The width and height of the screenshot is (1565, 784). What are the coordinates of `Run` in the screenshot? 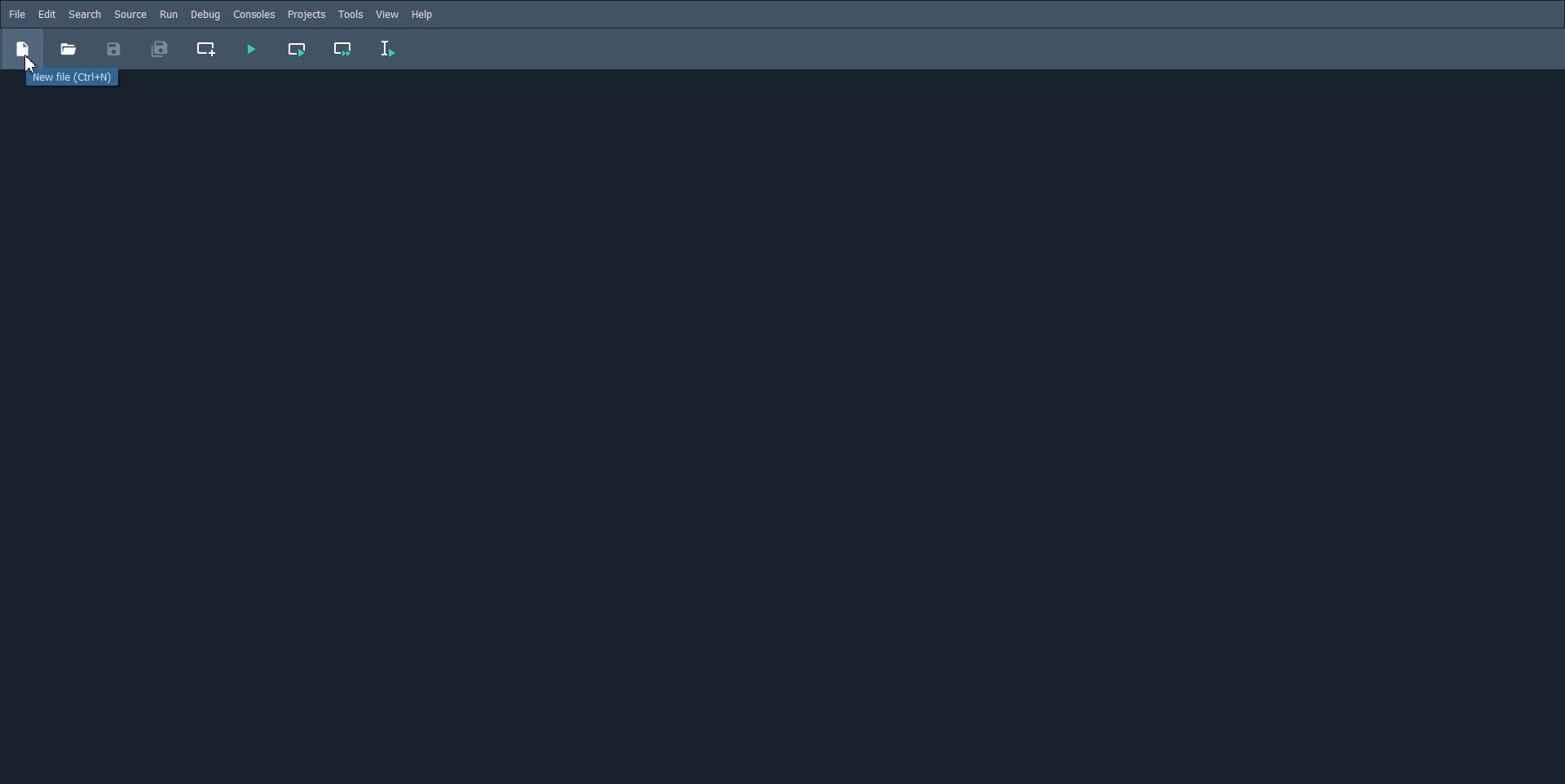 It's located at (169, 14).